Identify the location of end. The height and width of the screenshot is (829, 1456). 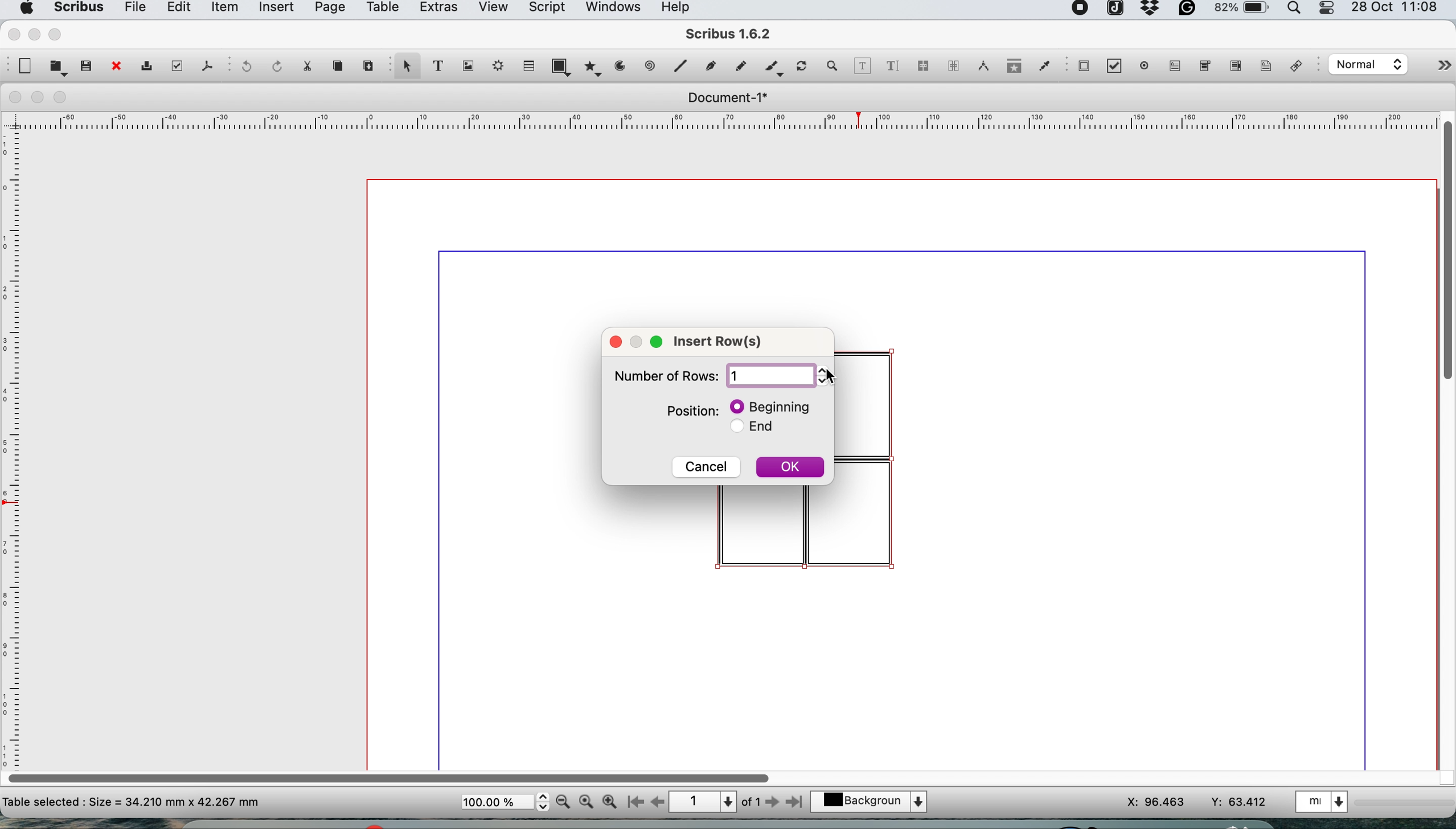
(760, 429).